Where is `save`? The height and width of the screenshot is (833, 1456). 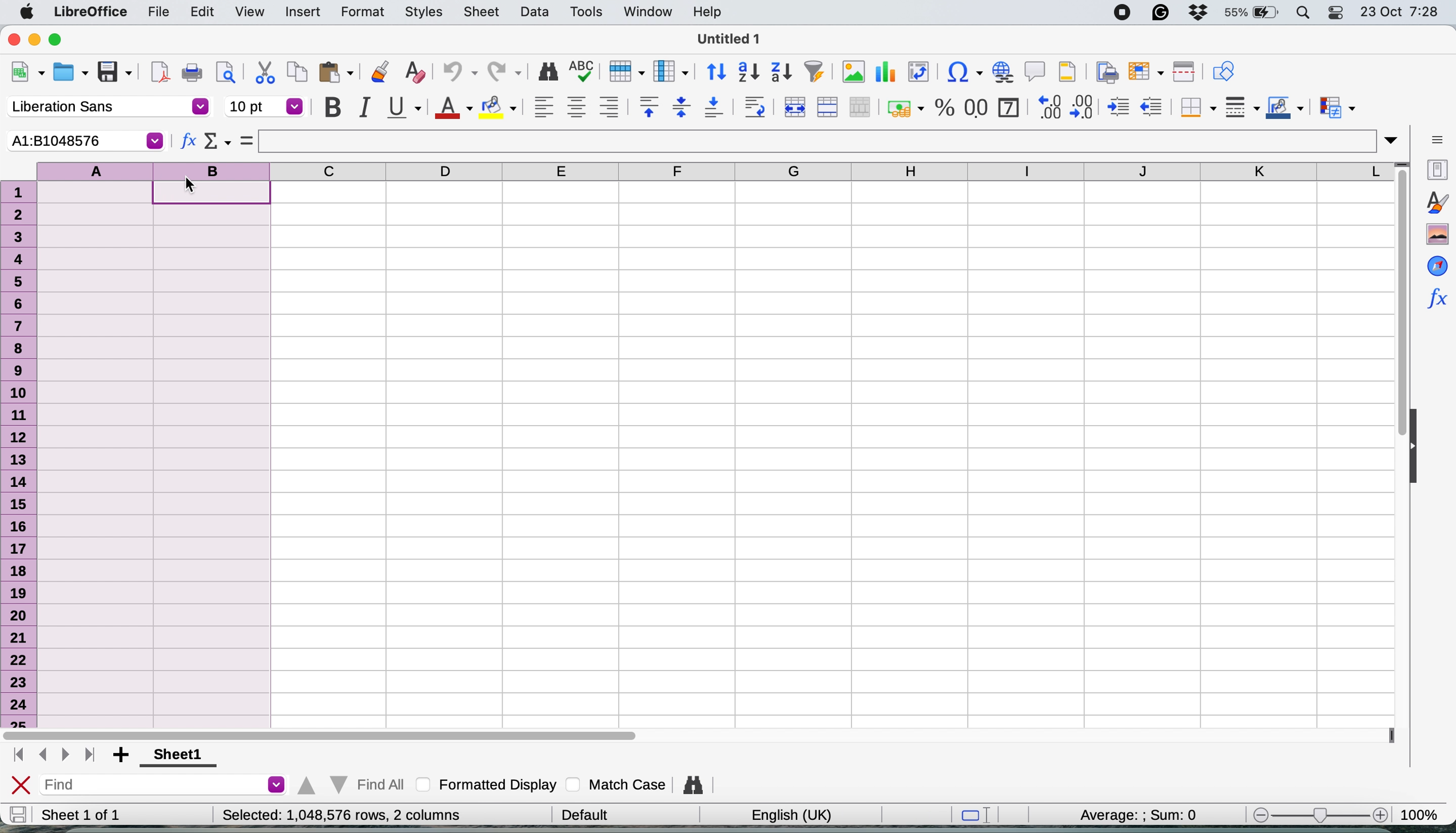 save is located at coordinates (116, 72).